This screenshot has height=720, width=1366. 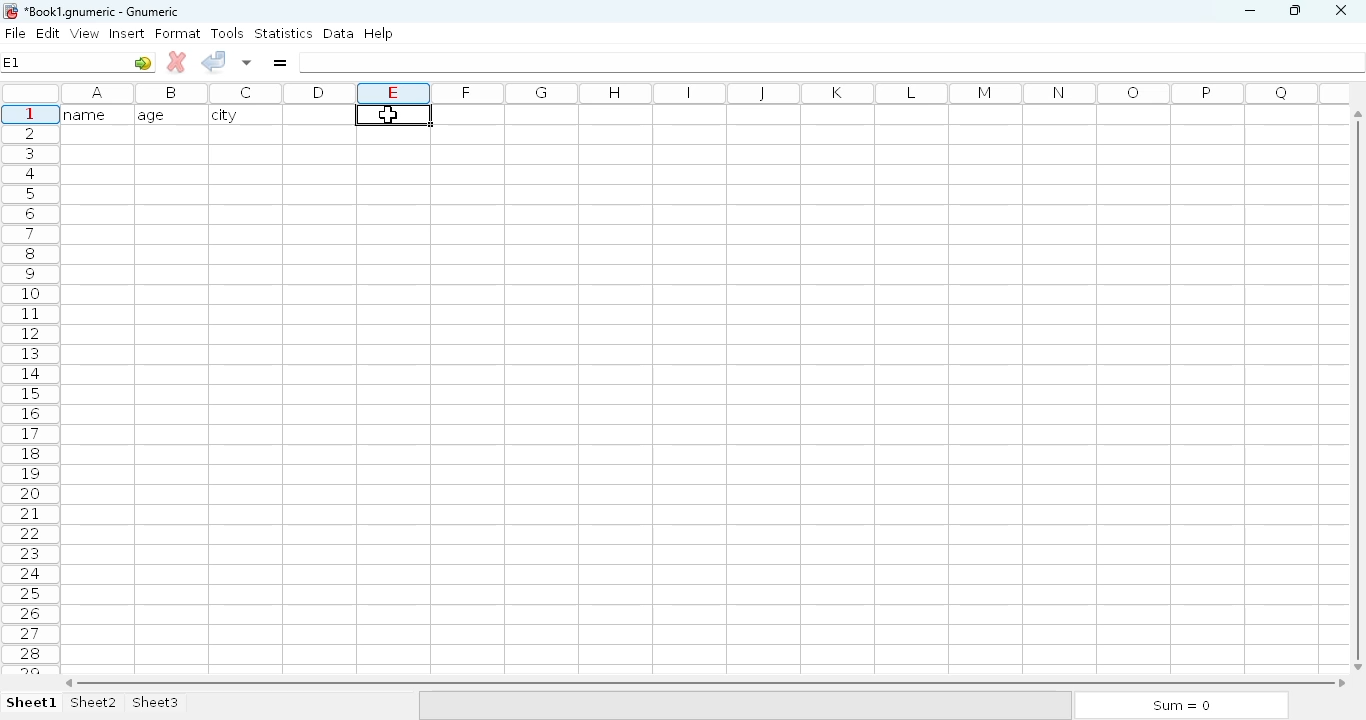 What do you see at coordinates (1340, 11) in the screenshot?
I see `close` at bounding box center [1340, 11].